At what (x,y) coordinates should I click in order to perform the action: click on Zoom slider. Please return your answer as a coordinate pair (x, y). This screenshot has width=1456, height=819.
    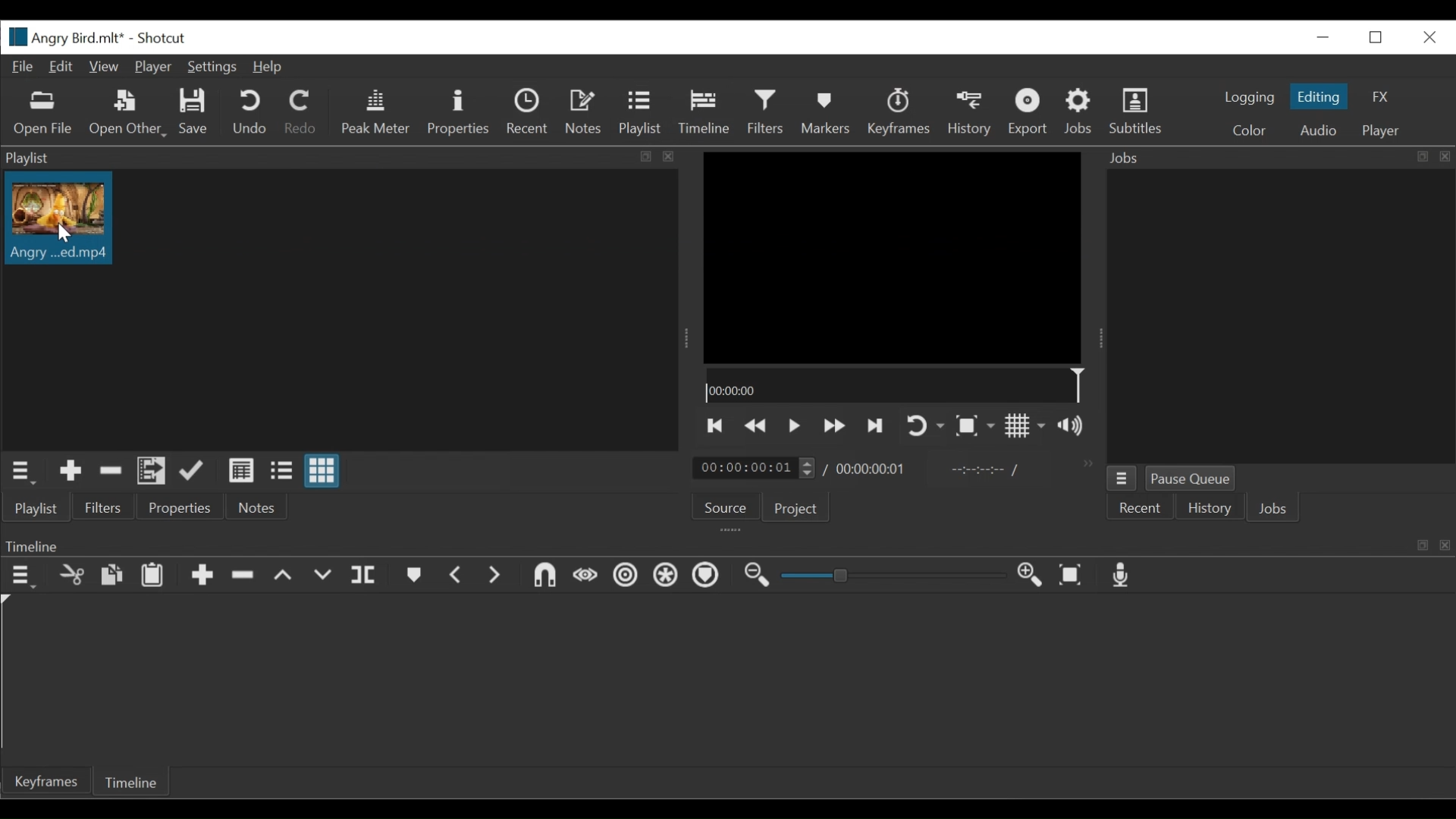
    Looking at the image, I should click on (889, 577).